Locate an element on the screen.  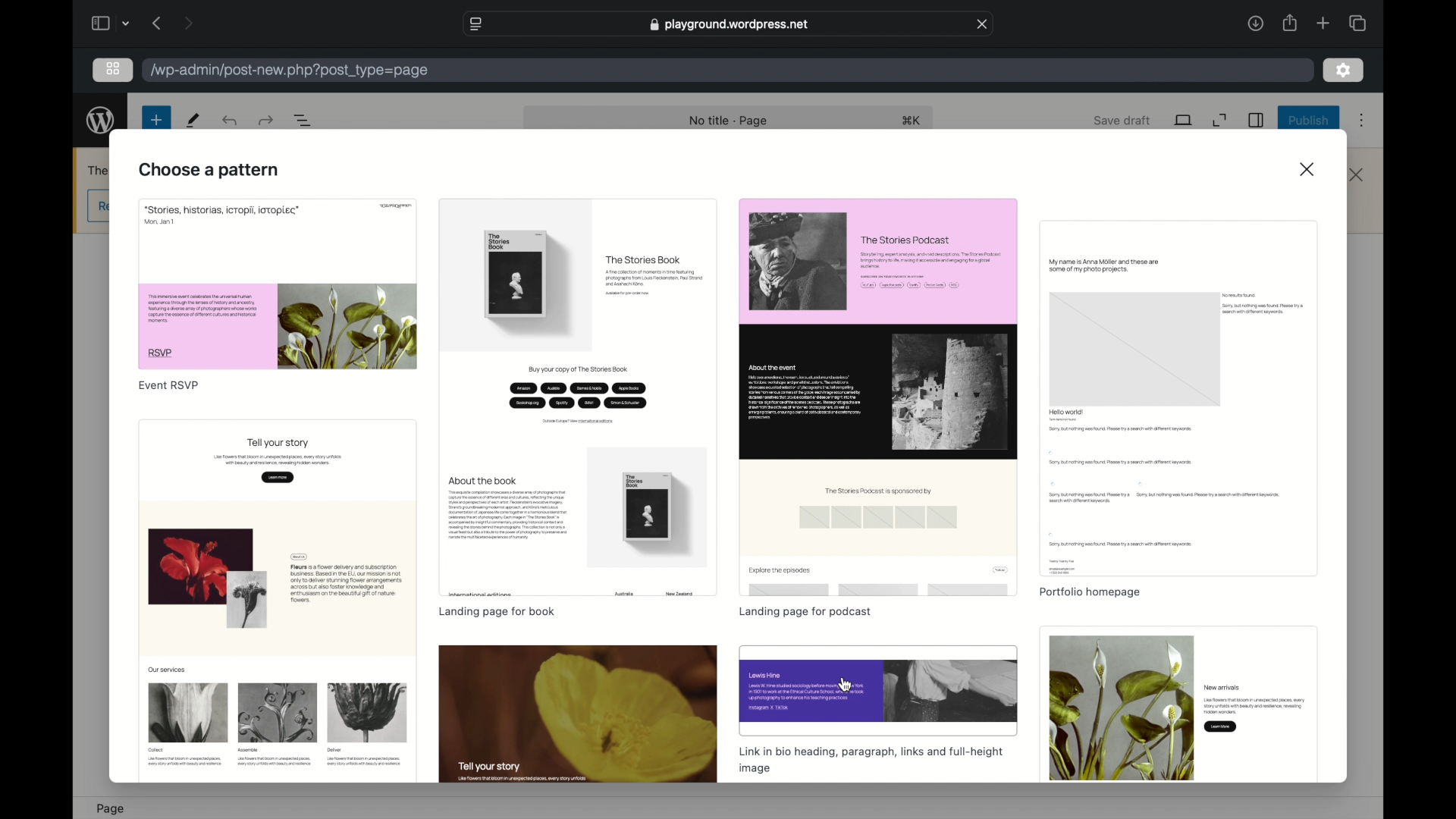
new tab is located at coordinates (1323, 24).